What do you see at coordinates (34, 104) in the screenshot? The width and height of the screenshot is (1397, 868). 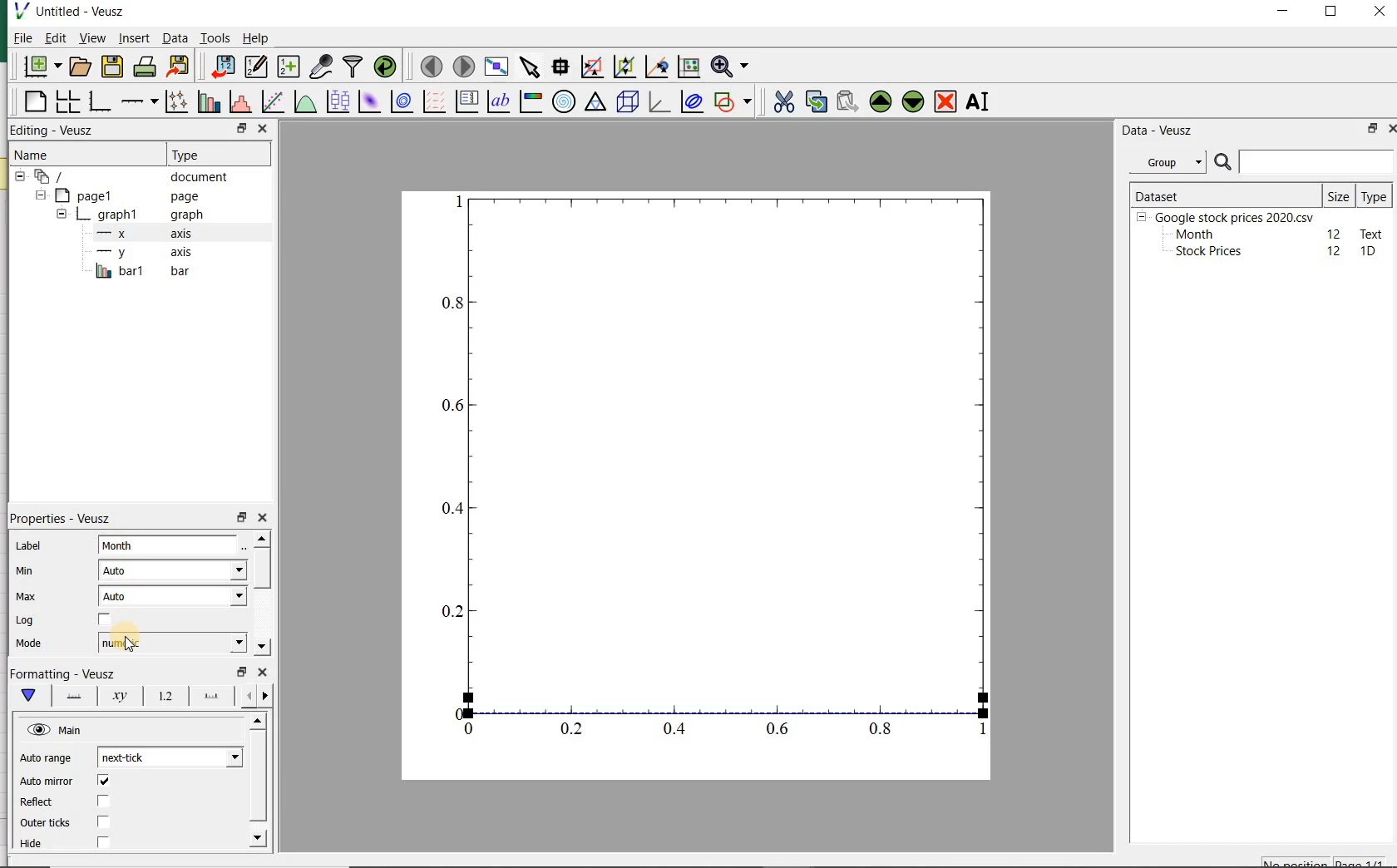 I see `blank page` at bounding box center [34, 104].